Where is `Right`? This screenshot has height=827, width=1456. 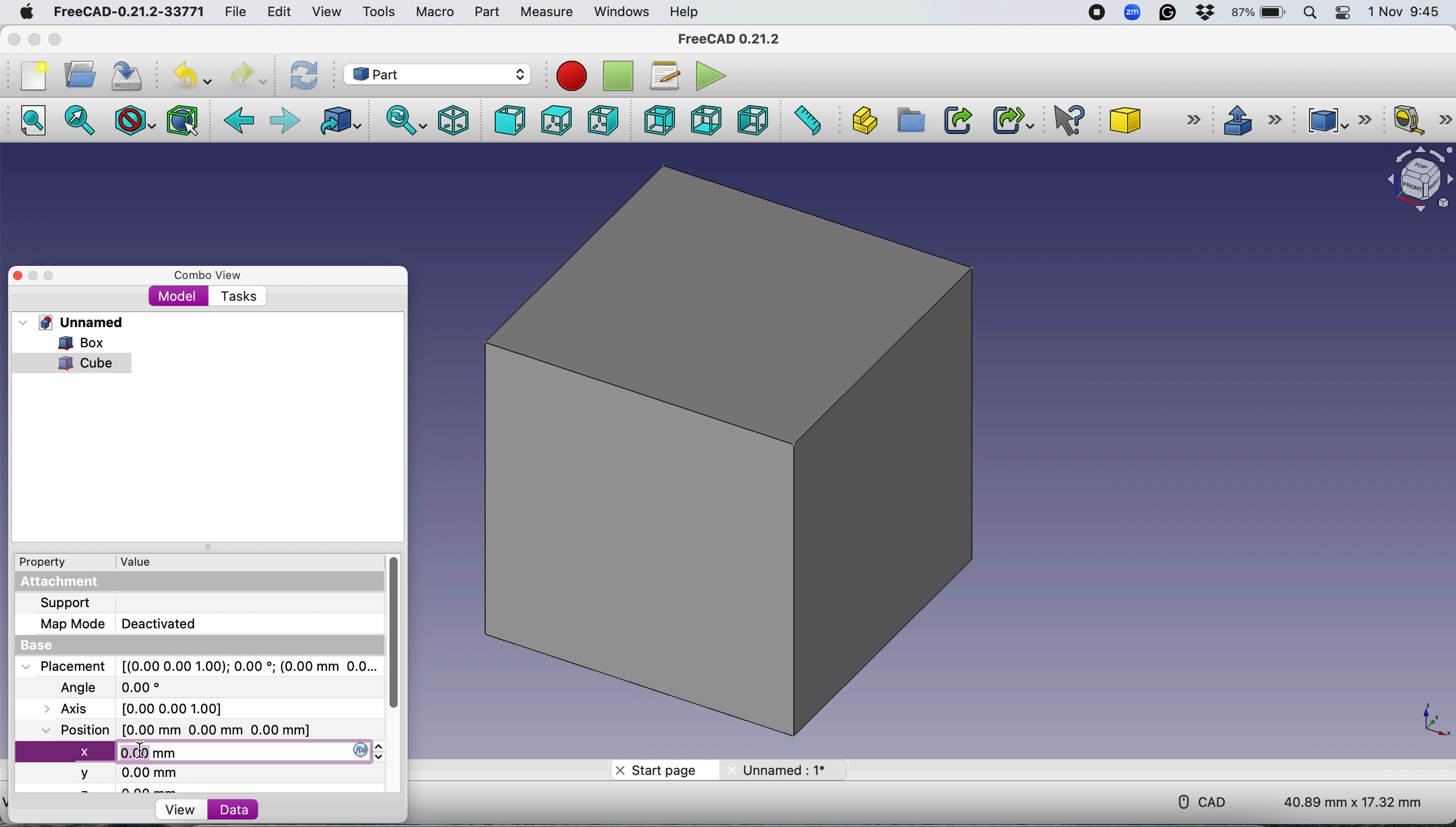
Right is located at coordinates (603, 122).